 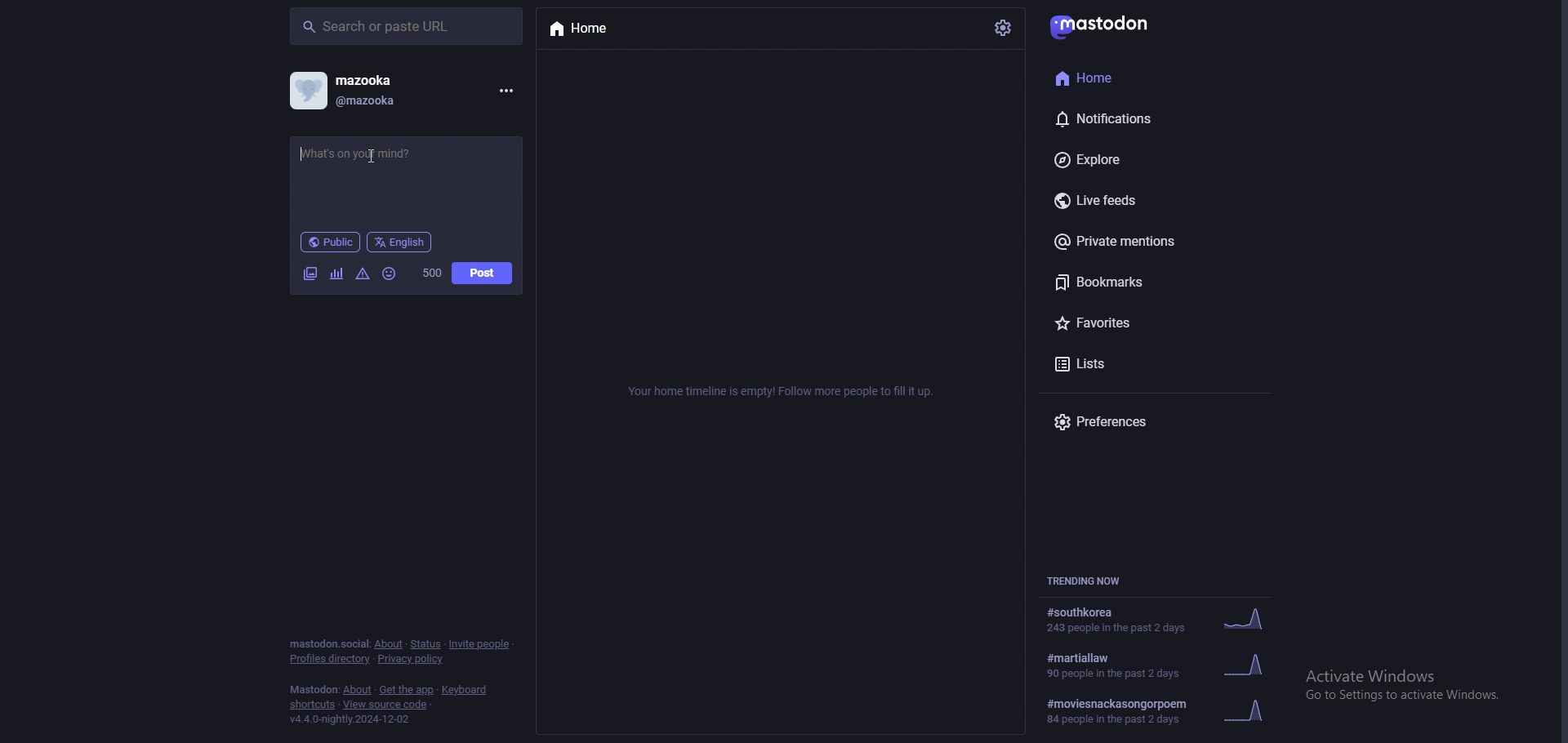 What do you see at coordinates (328, 644) in the screenshot?
I see `mastodon social` at bounding box center [328, 644].